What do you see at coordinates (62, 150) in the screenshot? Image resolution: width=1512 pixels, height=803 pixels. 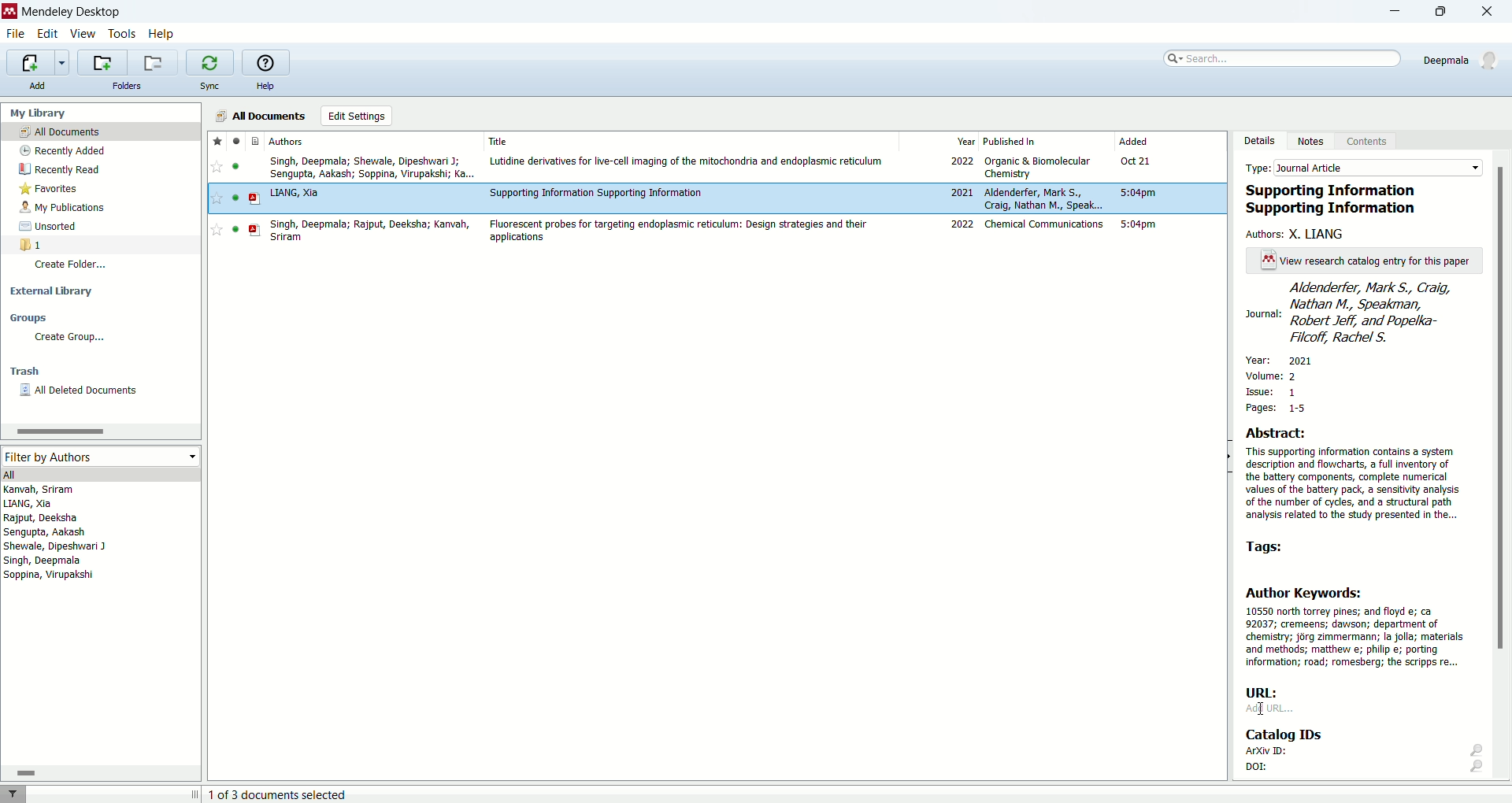 I see `recently added` at bounding box center [62, 150].